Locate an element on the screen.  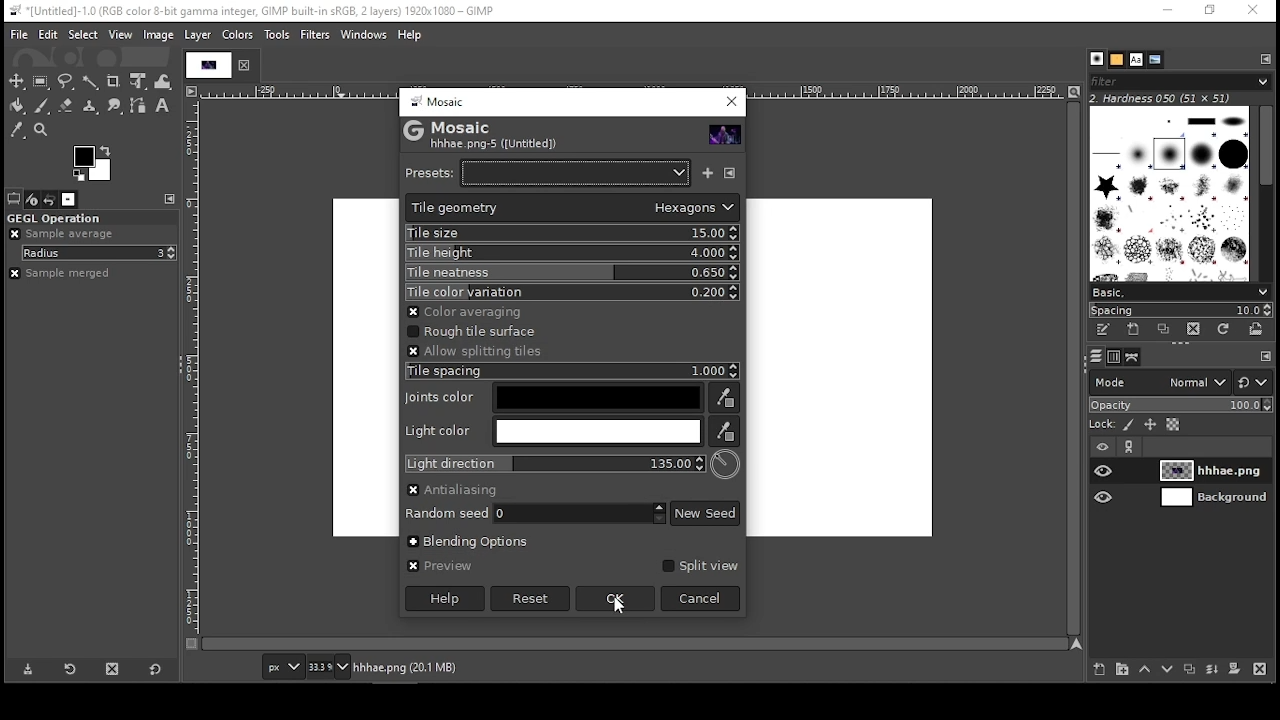
allow splitting tiles is located at coordinates (489, 350).